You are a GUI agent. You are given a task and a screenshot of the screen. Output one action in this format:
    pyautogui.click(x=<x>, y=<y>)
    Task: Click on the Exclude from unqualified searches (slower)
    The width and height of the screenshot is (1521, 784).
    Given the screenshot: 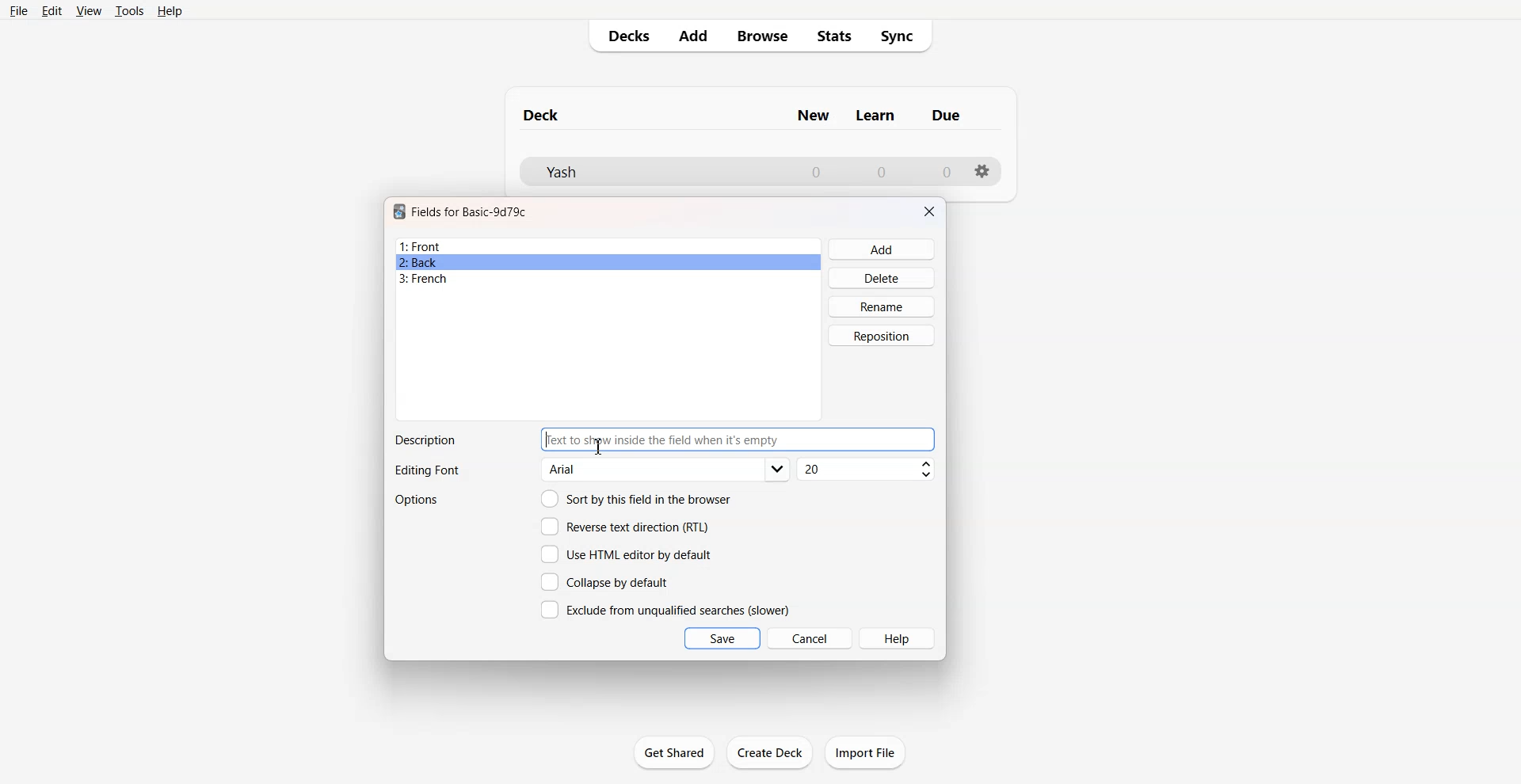 What is the action you would take?
    pyautogui.click(x=665, y=609)
    